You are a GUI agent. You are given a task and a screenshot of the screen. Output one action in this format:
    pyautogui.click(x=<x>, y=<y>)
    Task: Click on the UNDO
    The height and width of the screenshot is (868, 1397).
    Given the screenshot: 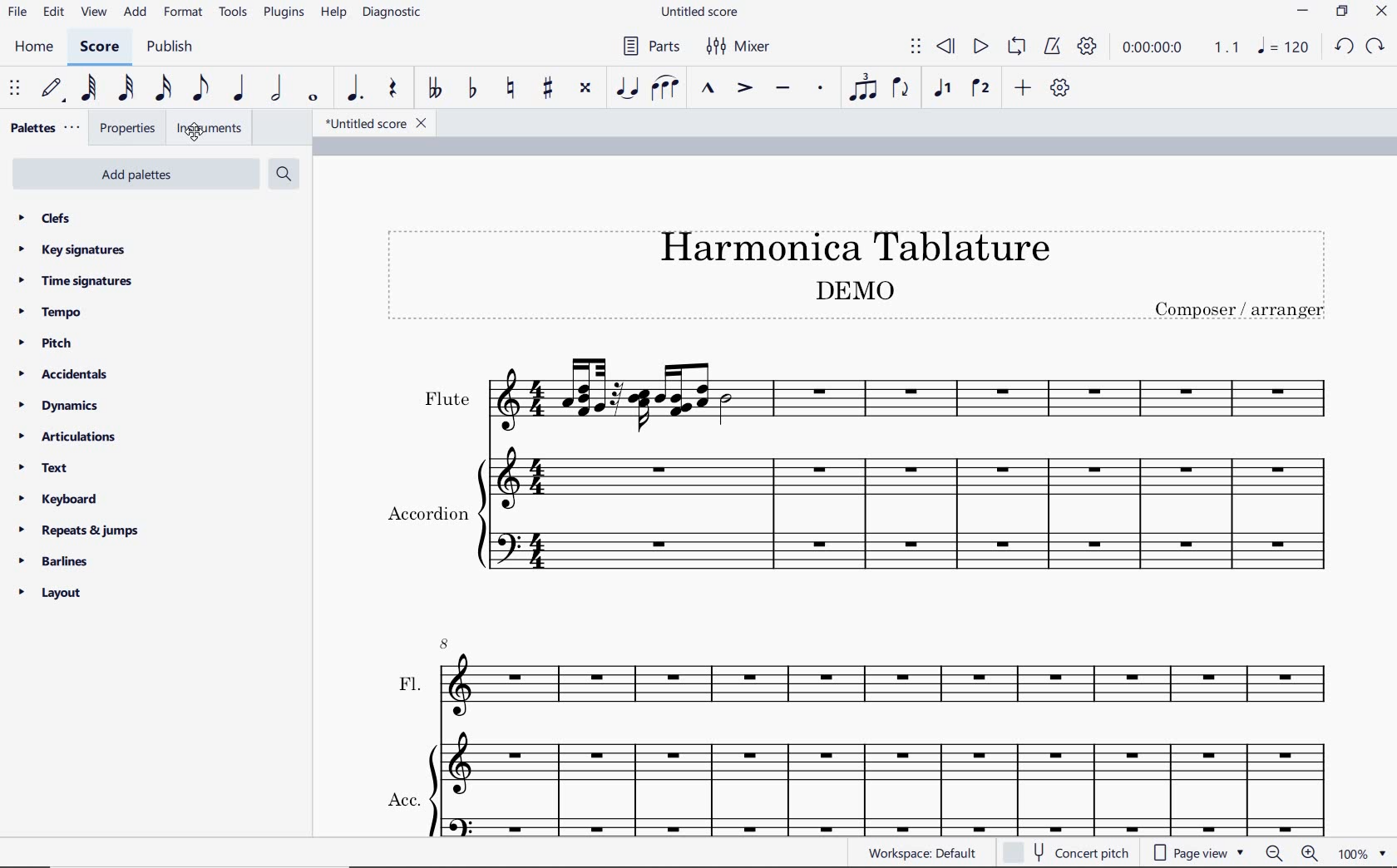 What is the action you would take?
    pyautogui.click(x=1344, y=46)
    